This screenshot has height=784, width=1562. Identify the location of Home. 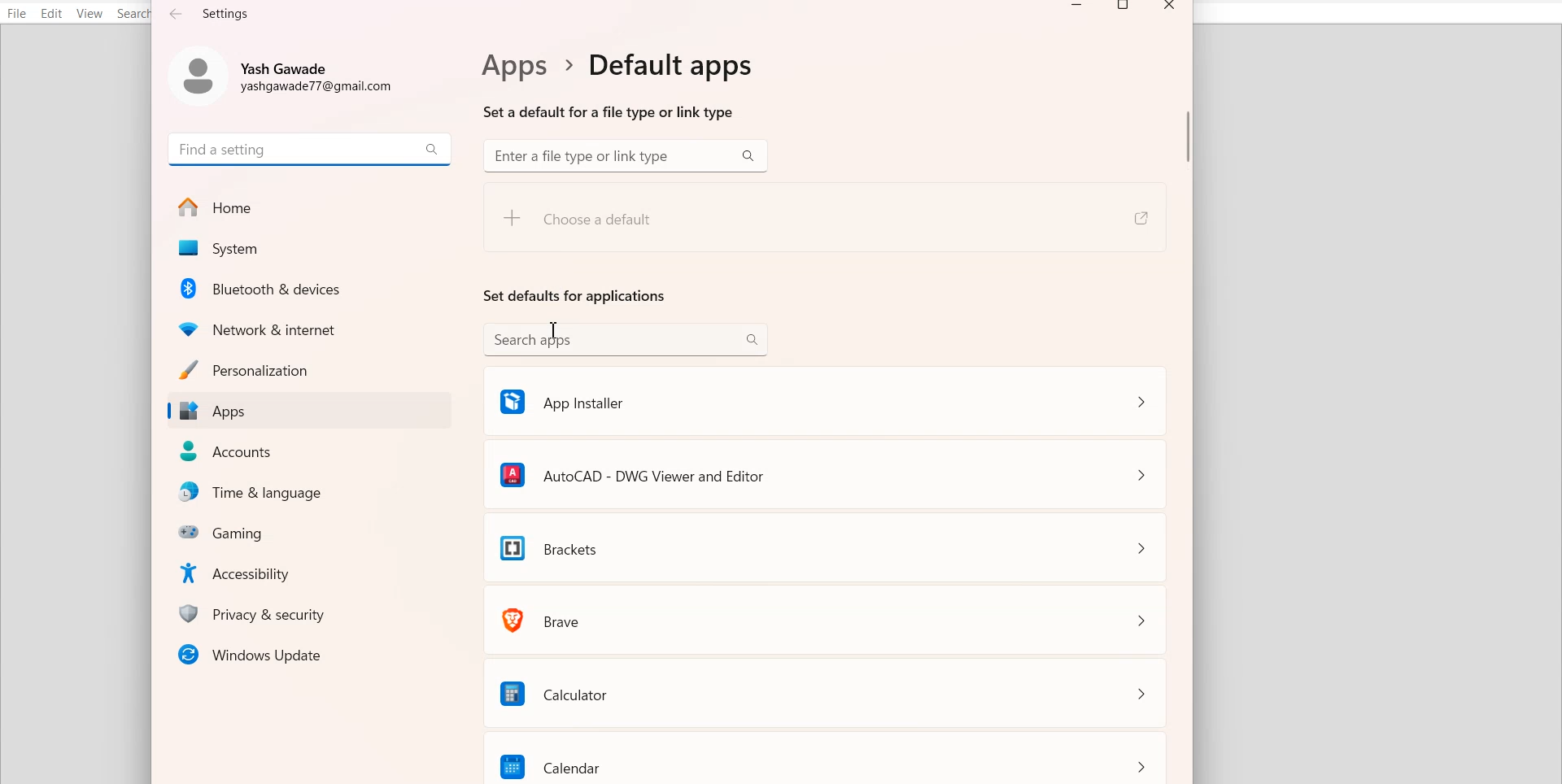
(309, 207).